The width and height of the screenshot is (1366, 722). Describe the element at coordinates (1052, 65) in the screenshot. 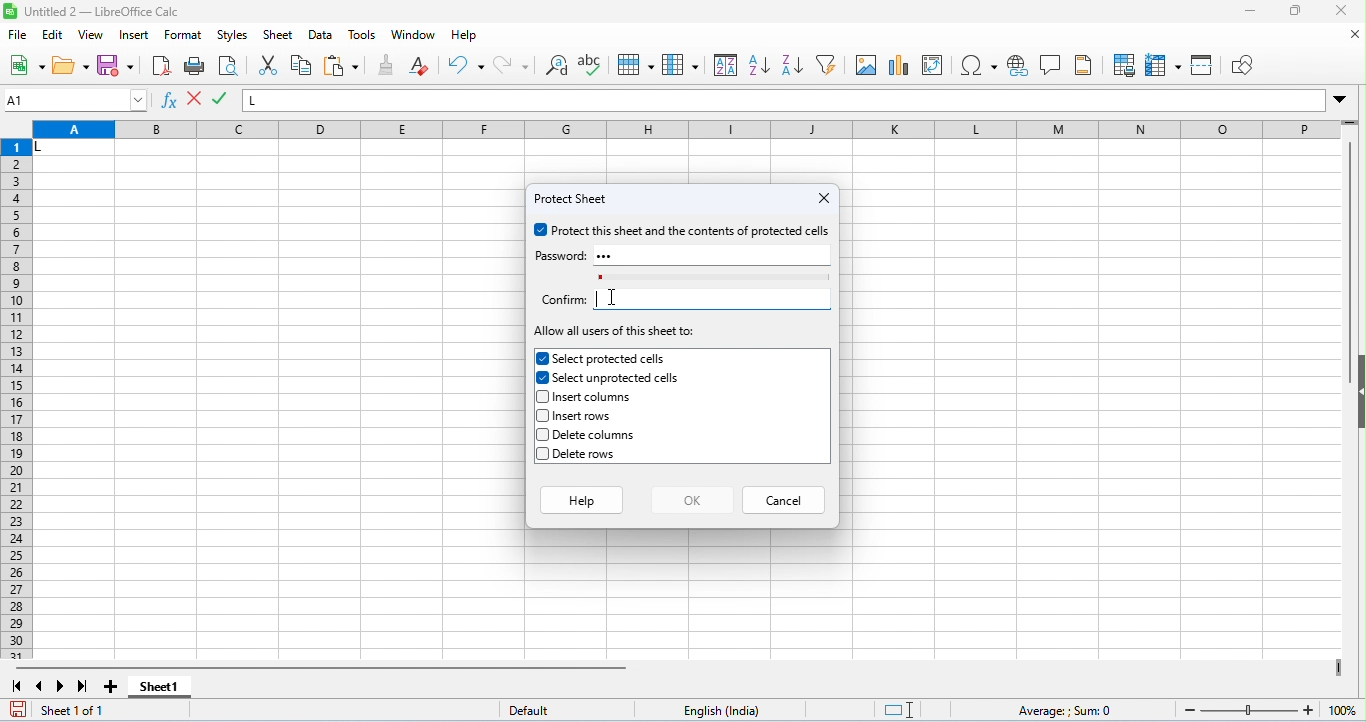

I see `insert comment` at that location.